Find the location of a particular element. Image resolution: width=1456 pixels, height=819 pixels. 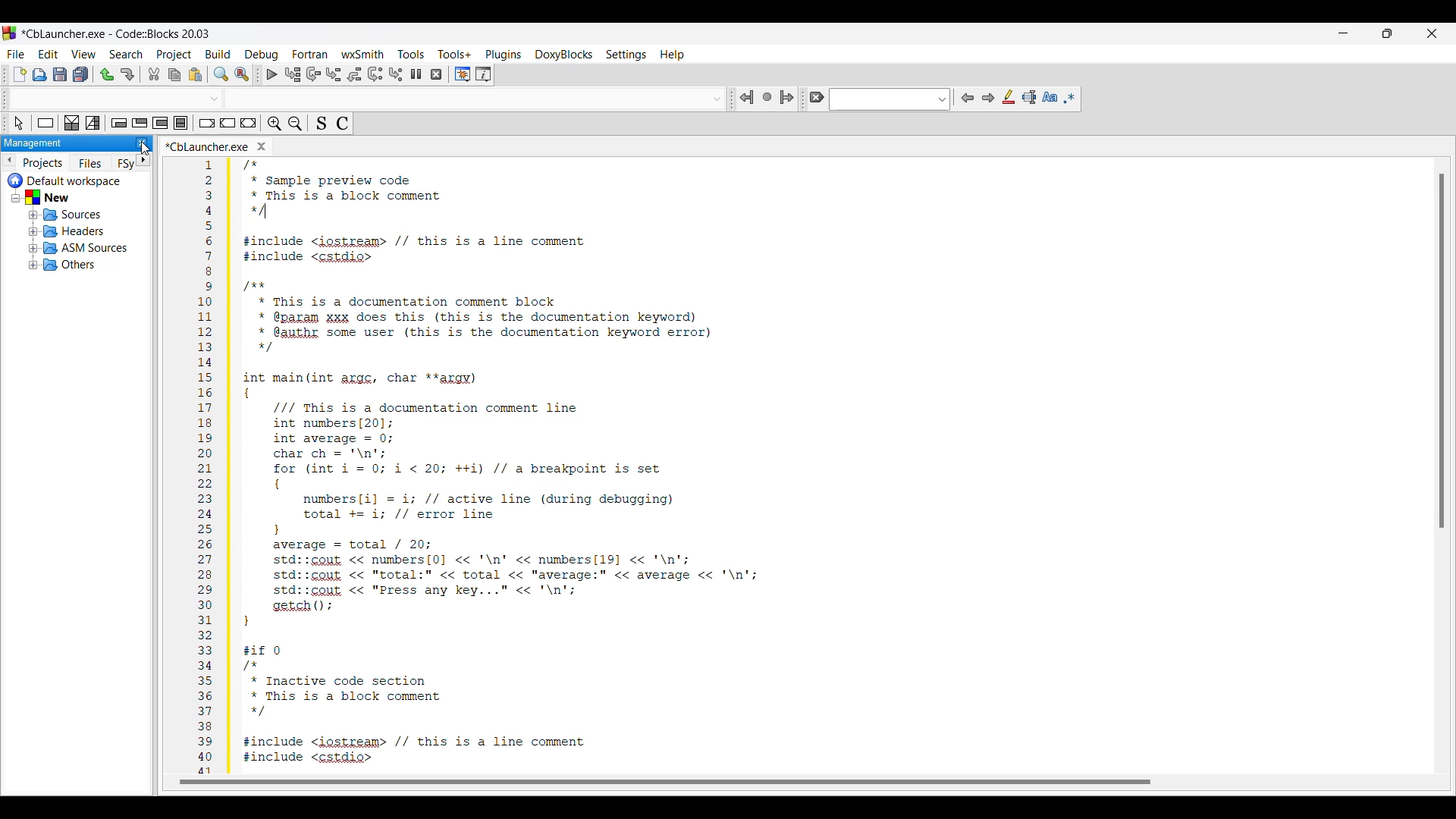

Tools menu is located at coordinates (411, 54).